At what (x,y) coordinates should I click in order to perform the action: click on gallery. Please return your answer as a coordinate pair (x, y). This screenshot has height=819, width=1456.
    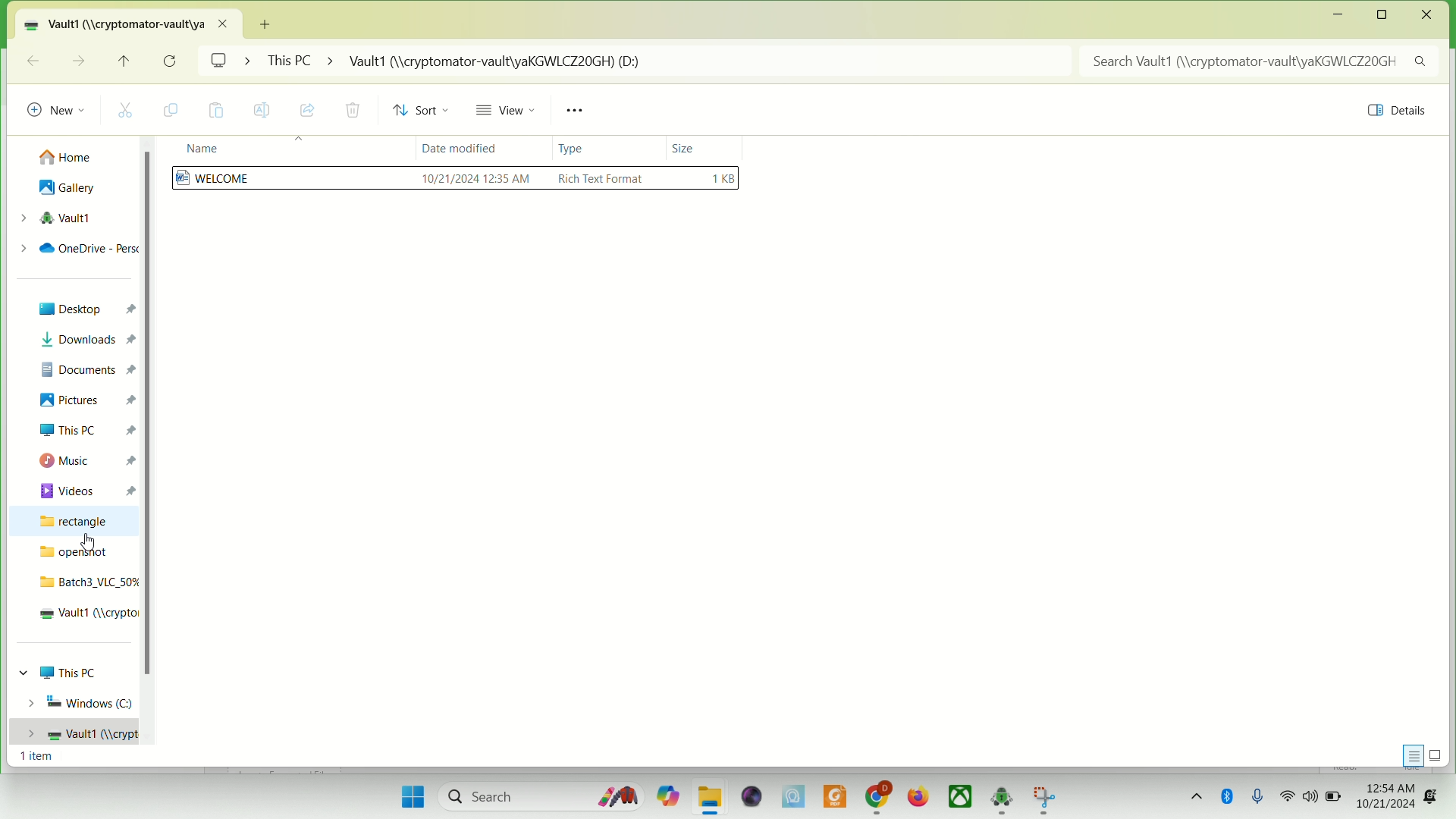
    Looking at the image, I should click on (67, 189).